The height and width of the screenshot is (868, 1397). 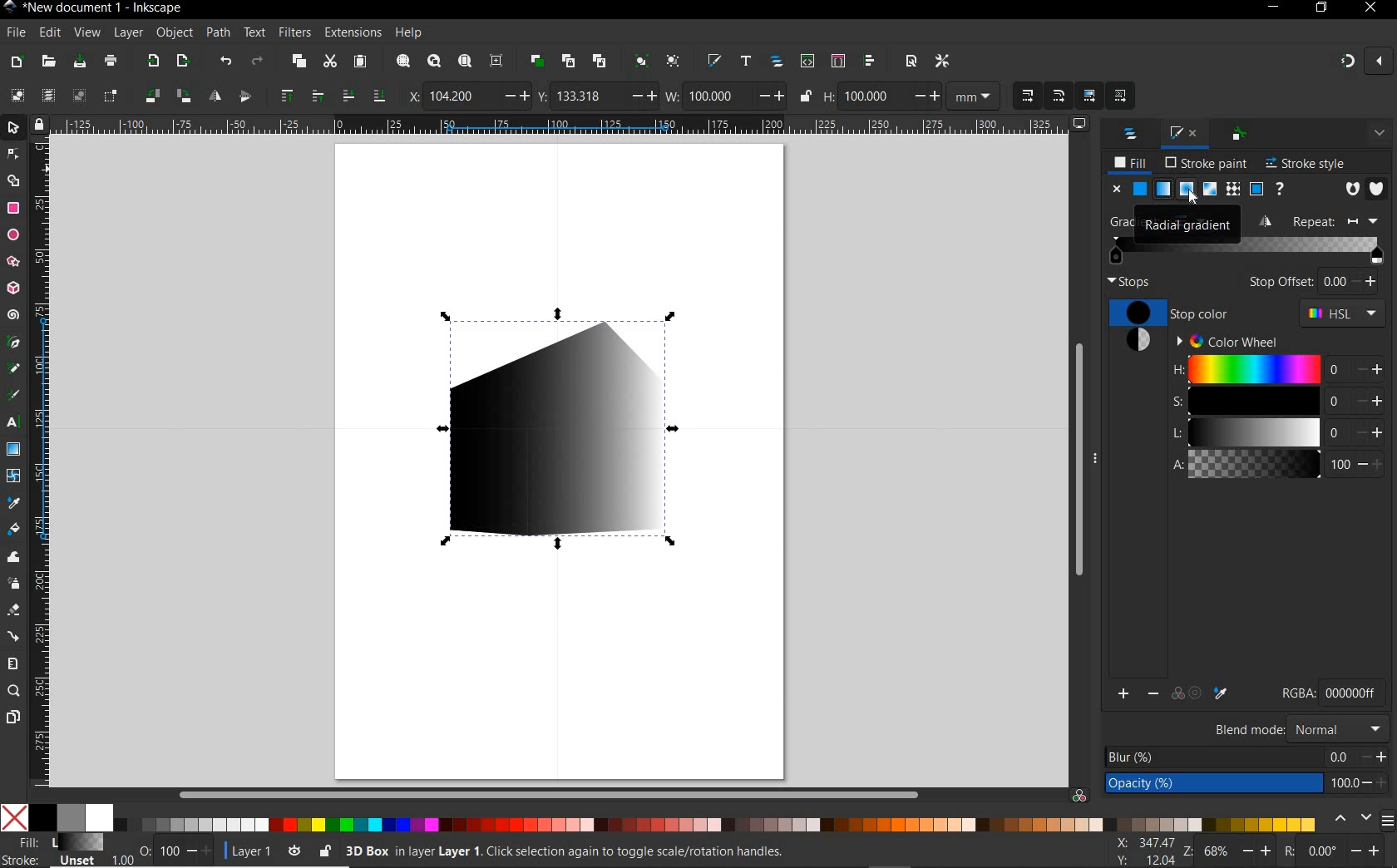 What do you see at coordinates (1376, 187) in the screenshot?
I see `FILL IS SOLID` at bounding box center [1376, 187].